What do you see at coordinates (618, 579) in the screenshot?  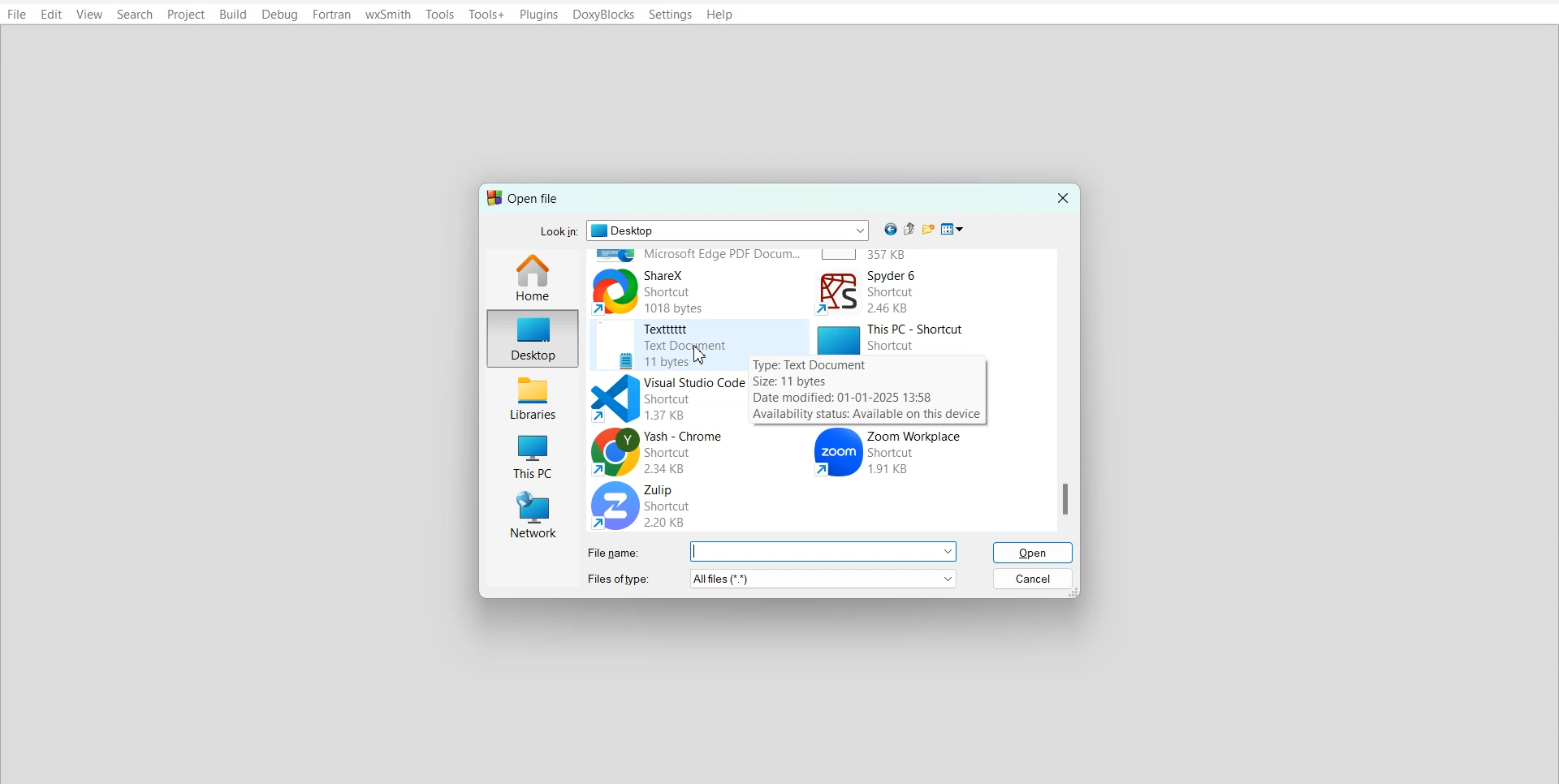 I see `Files of types` at bounding box center [618, 579].